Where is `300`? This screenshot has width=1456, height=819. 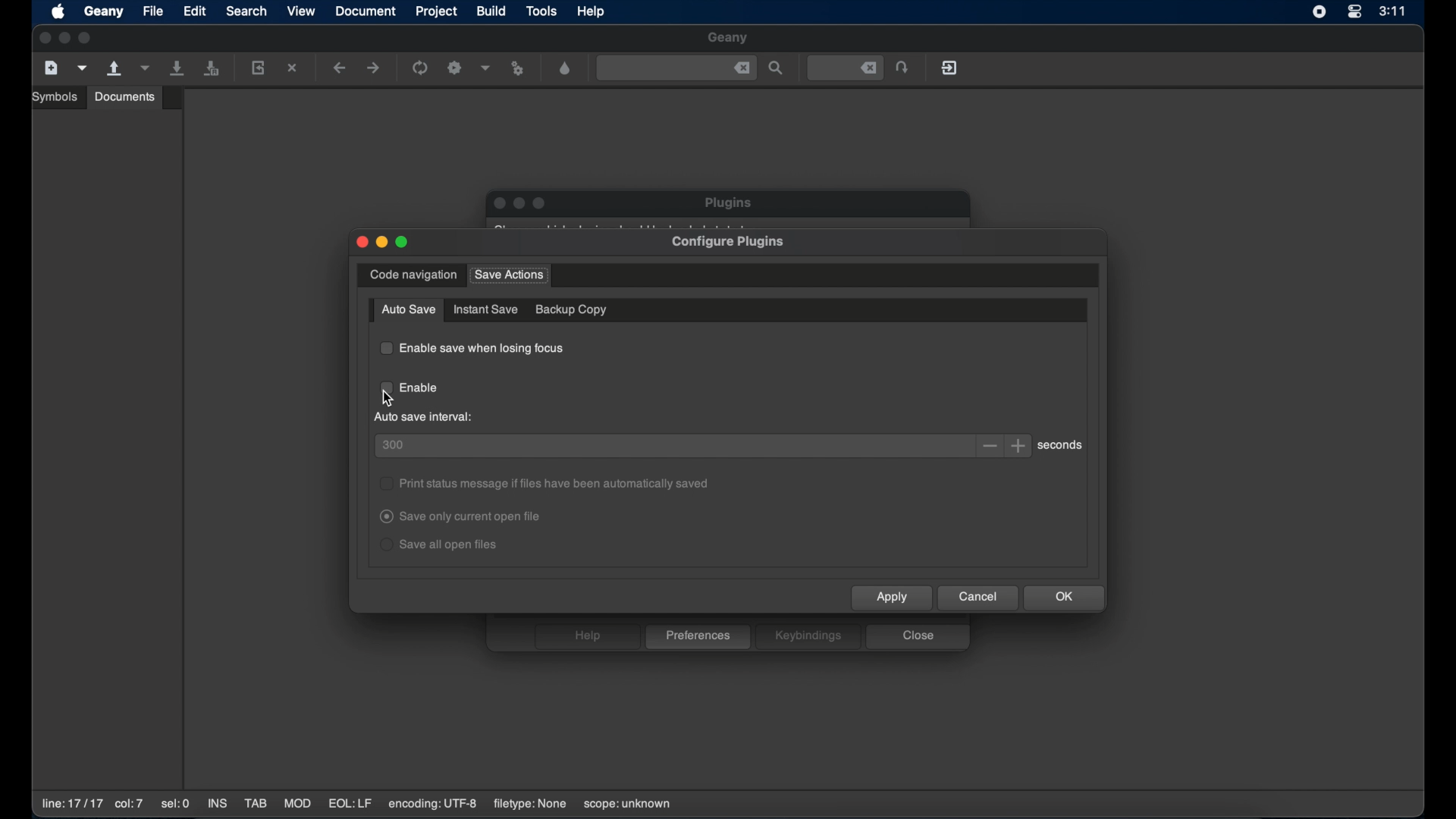
300 is located at coordinates (394, 445).